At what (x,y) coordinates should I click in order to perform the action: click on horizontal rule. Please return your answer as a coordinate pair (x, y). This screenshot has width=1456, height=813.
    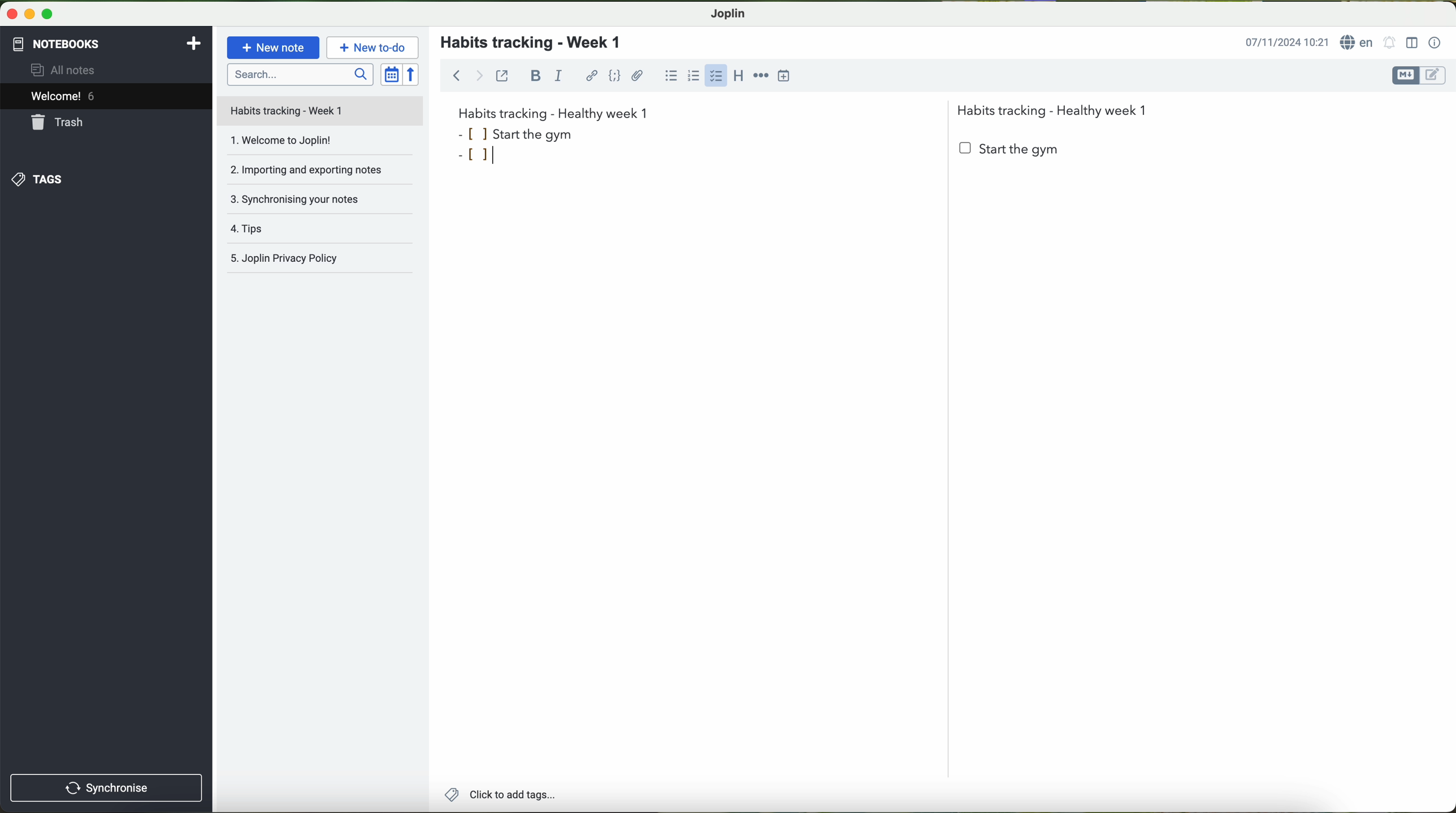
    Looking at the image, I should click on (761, 76).